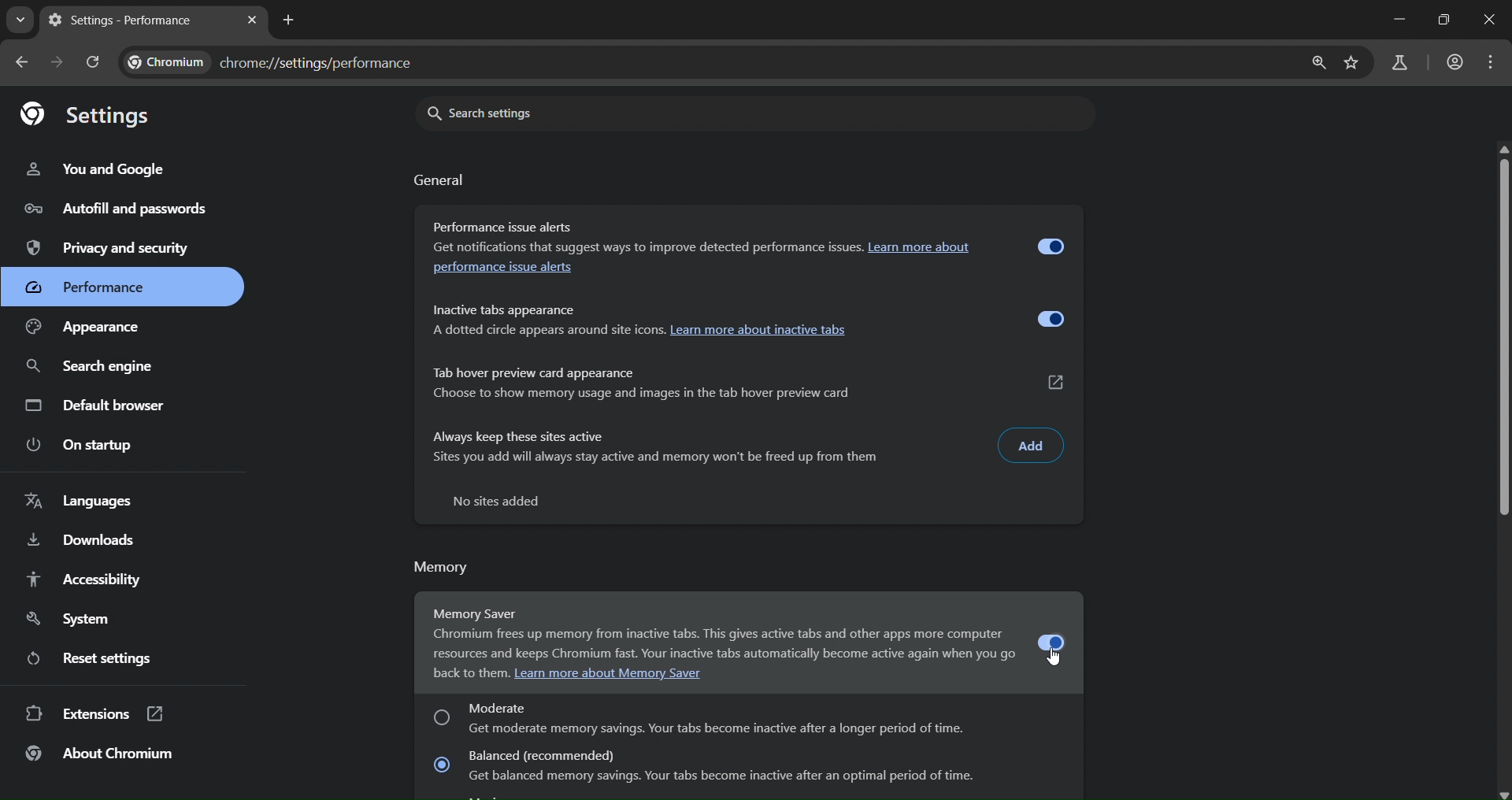  Describe the element at coordinates (103, 755) in the screenshot. I see `about chromium` at that location.